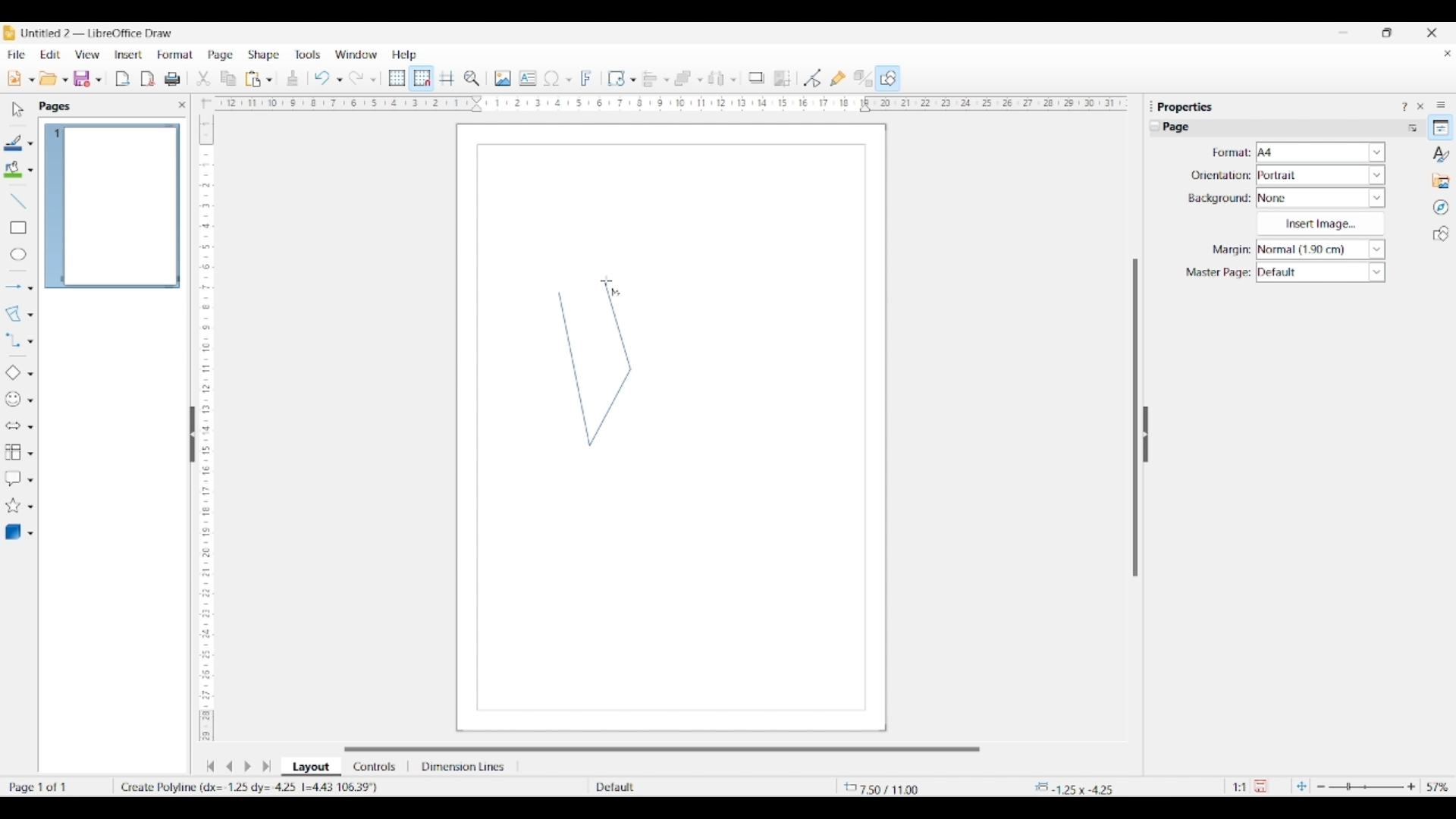  Describe the element at coordinates (18, 254) in the screenshot. I see `Ellipse` at that location.